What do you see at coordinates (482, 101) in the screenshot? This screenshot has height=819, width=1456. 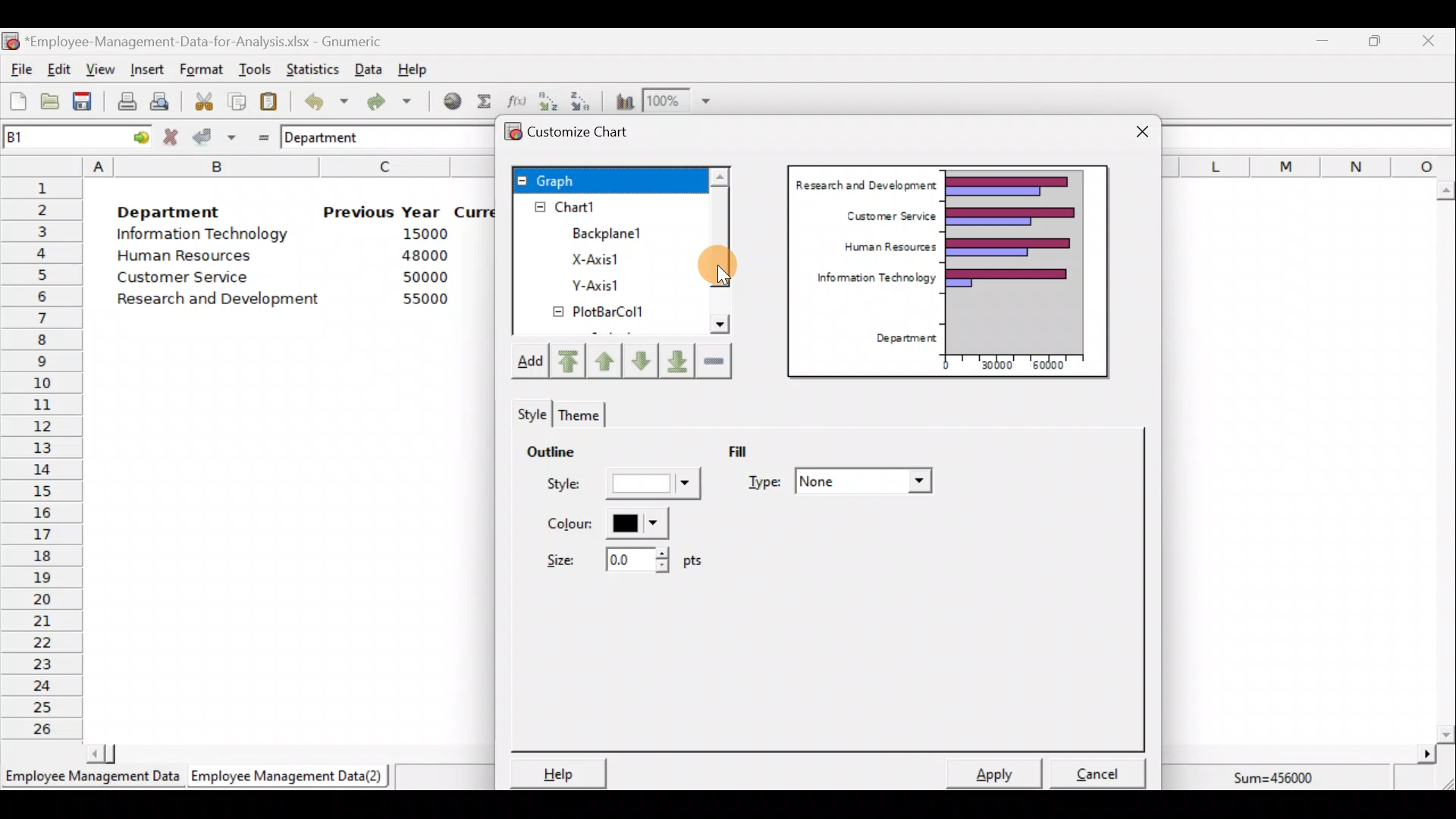 I see `Sum into the current cell` at bounding box center [482, 101].